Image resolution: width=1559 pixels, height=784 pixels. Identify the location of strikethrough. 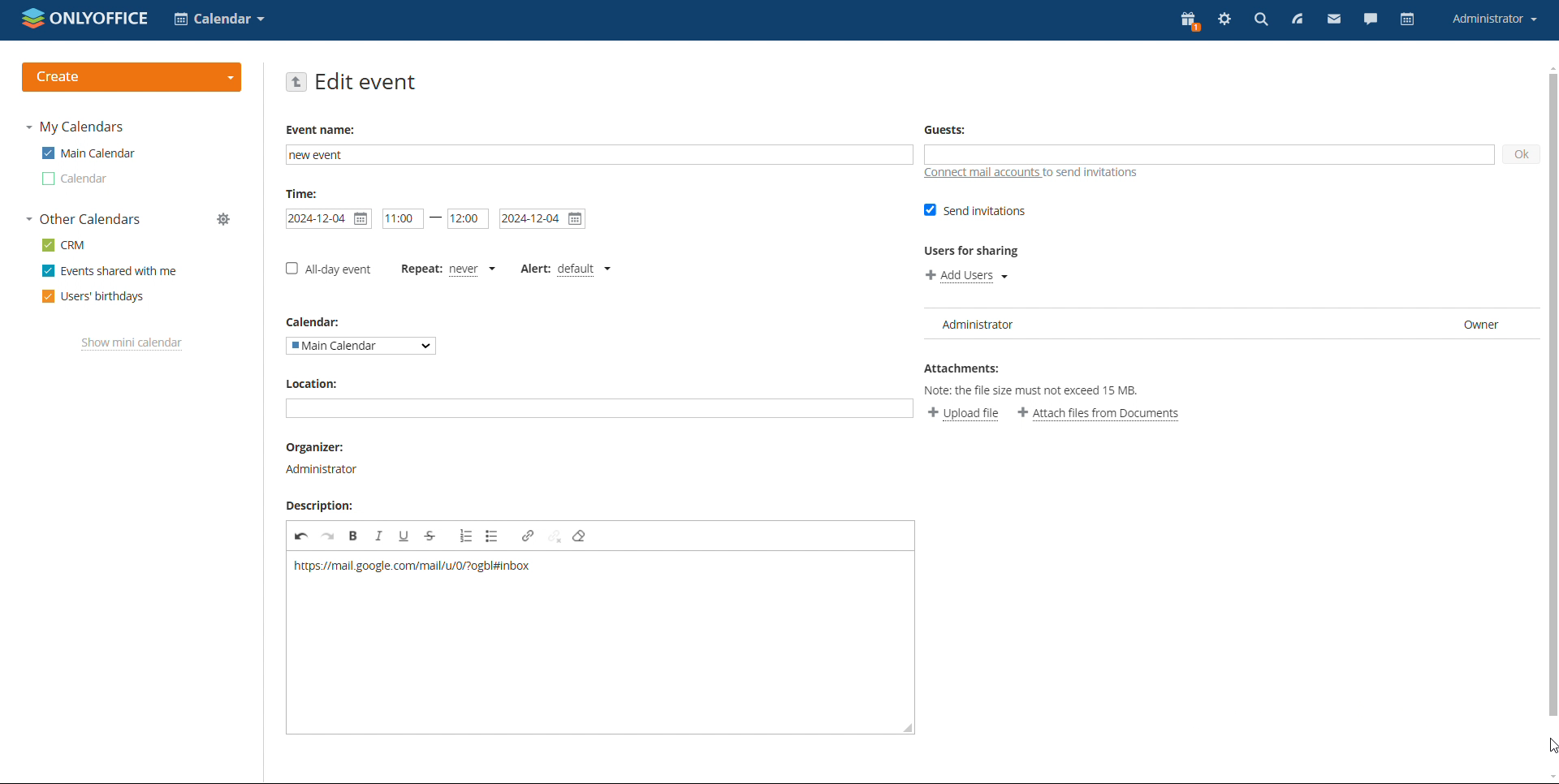
(430, 535).